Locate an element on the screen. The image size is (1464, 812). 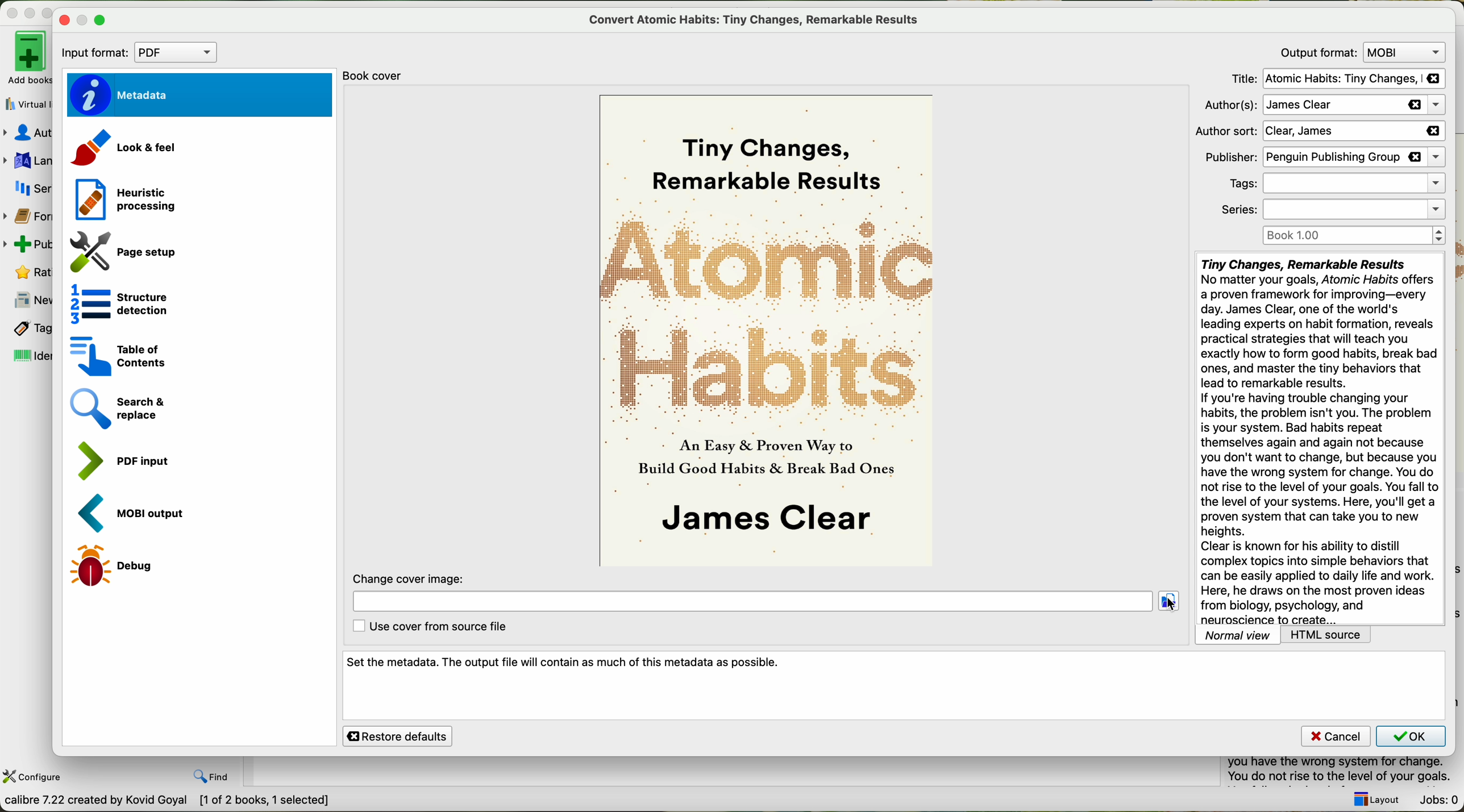
change cover image is located at coordinates (411, 578).